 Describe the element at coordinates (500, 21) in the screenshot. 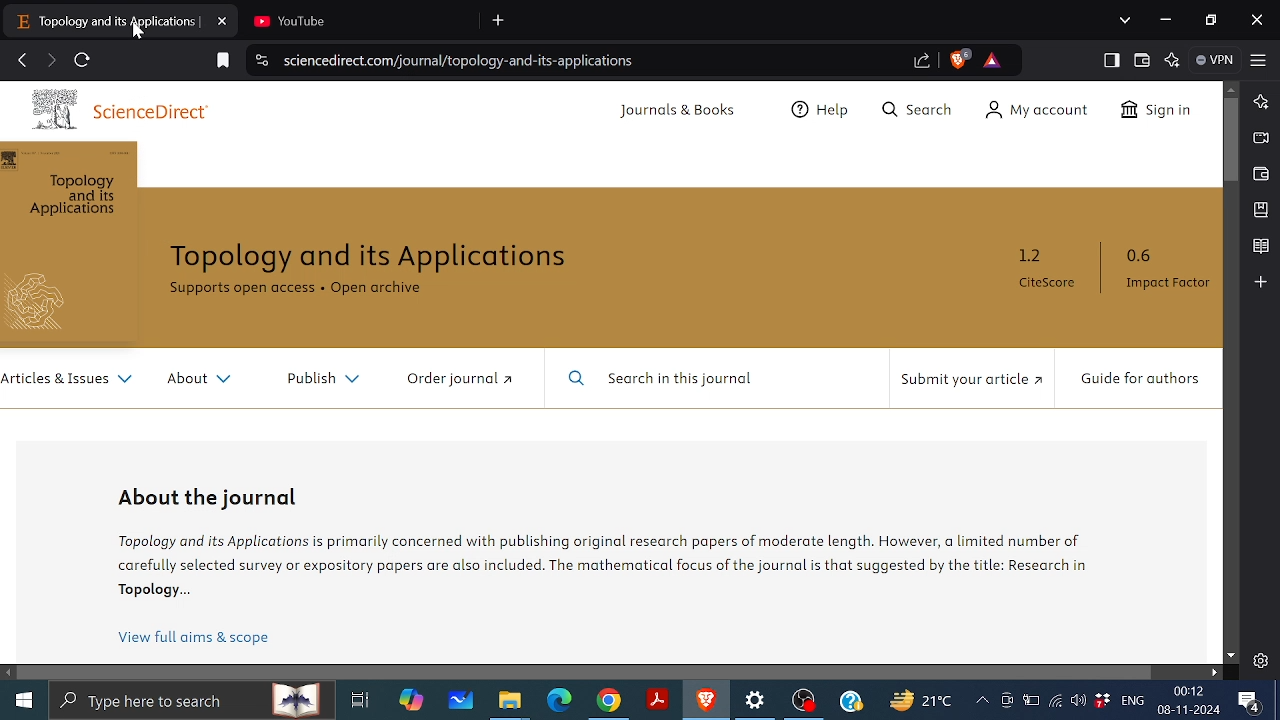

I see `Add new tab` at that location.